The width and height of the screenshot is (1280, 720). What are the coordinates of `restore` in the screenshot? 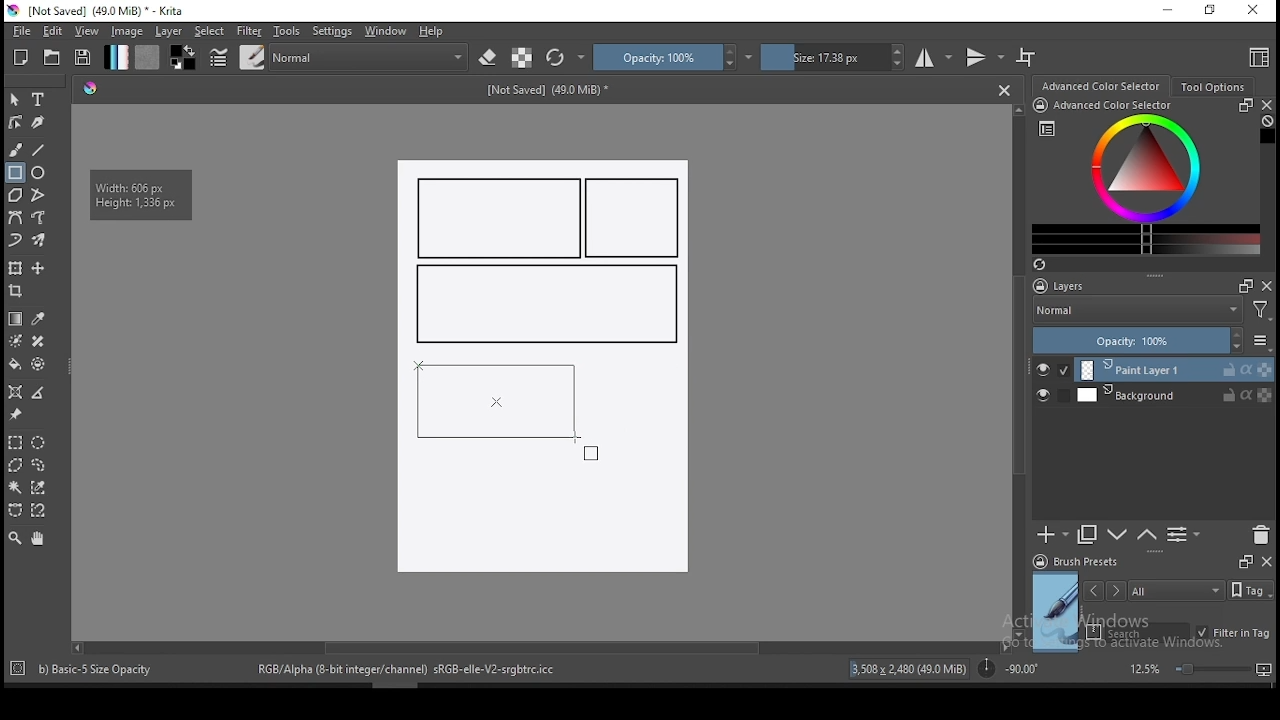 It's located at (1214, 11).